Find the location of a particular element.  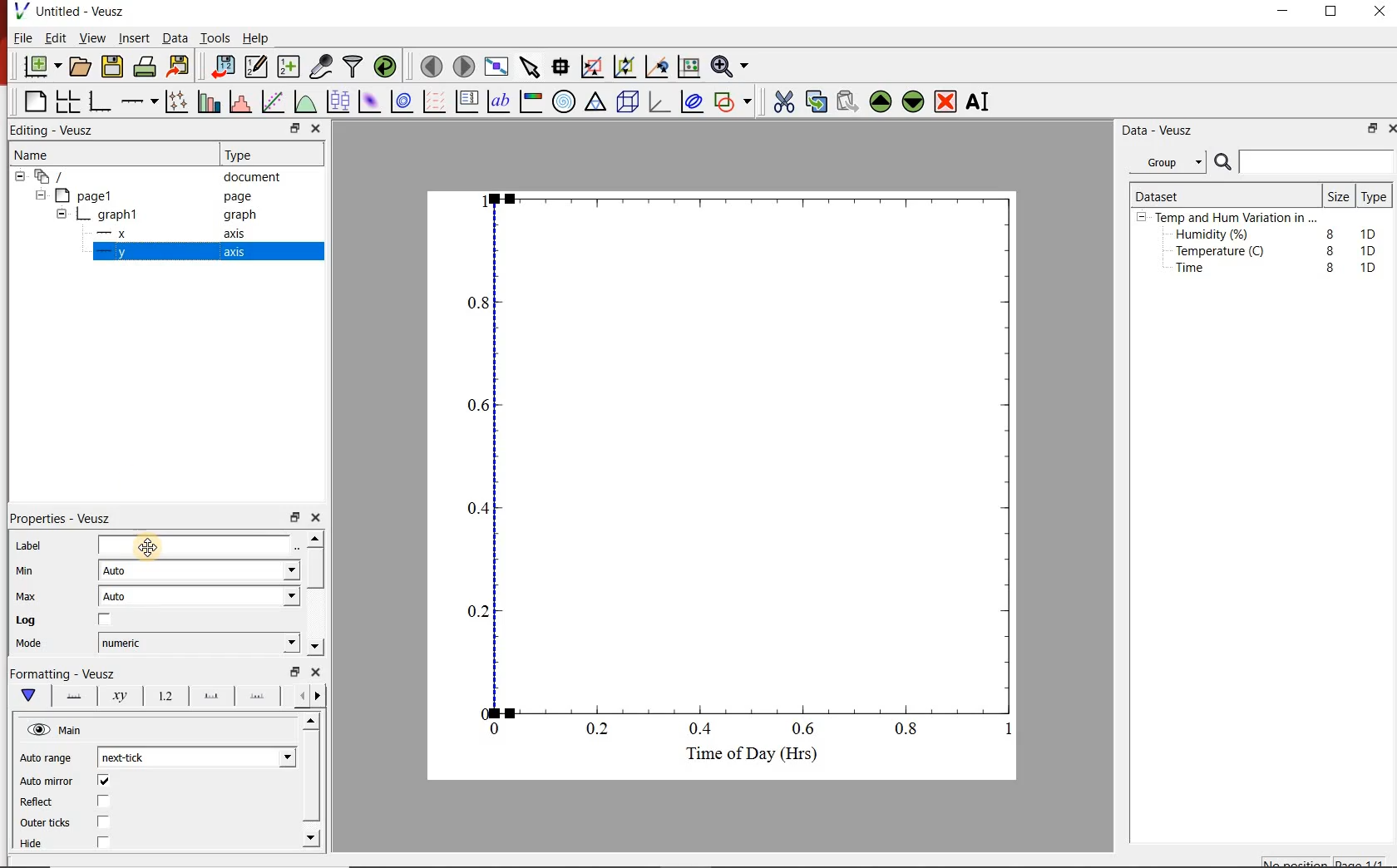

Name is located at coordinates (47, 156).